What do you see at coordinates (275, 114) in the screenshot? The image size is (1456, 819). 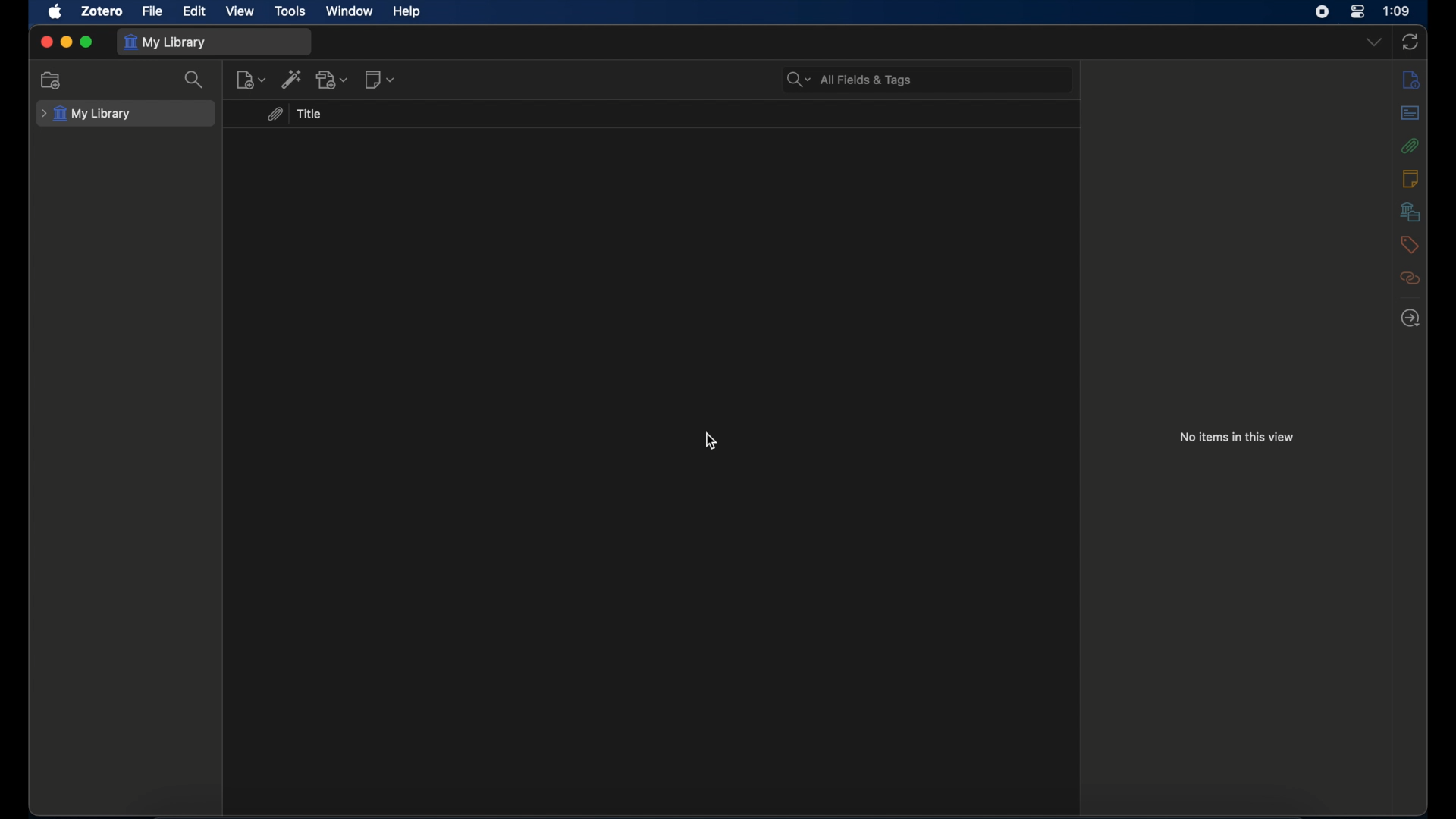 I see `attachments` at bounding box center [275, 114].